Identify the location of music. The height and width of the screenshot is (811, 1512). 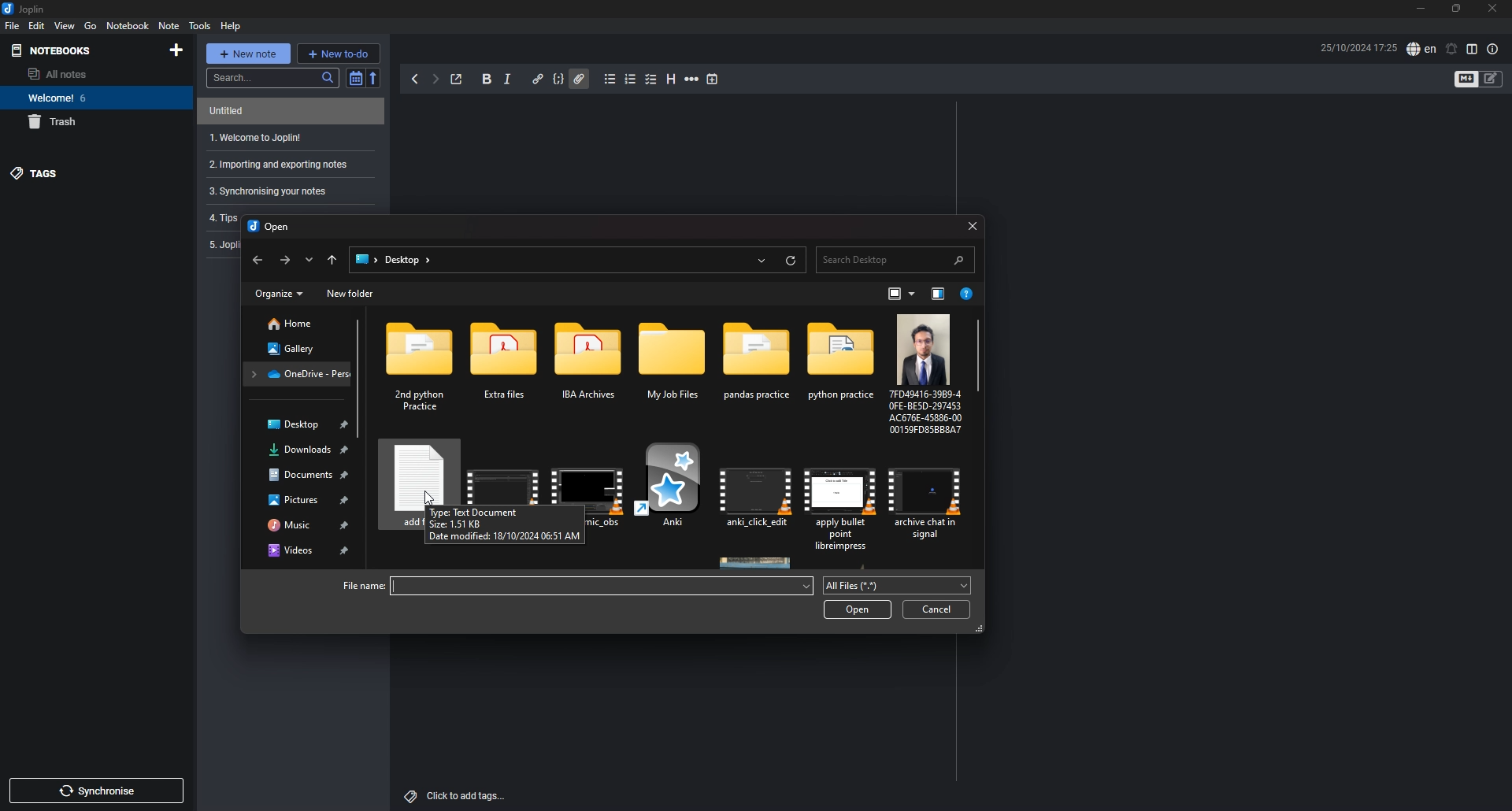
(305, 524).